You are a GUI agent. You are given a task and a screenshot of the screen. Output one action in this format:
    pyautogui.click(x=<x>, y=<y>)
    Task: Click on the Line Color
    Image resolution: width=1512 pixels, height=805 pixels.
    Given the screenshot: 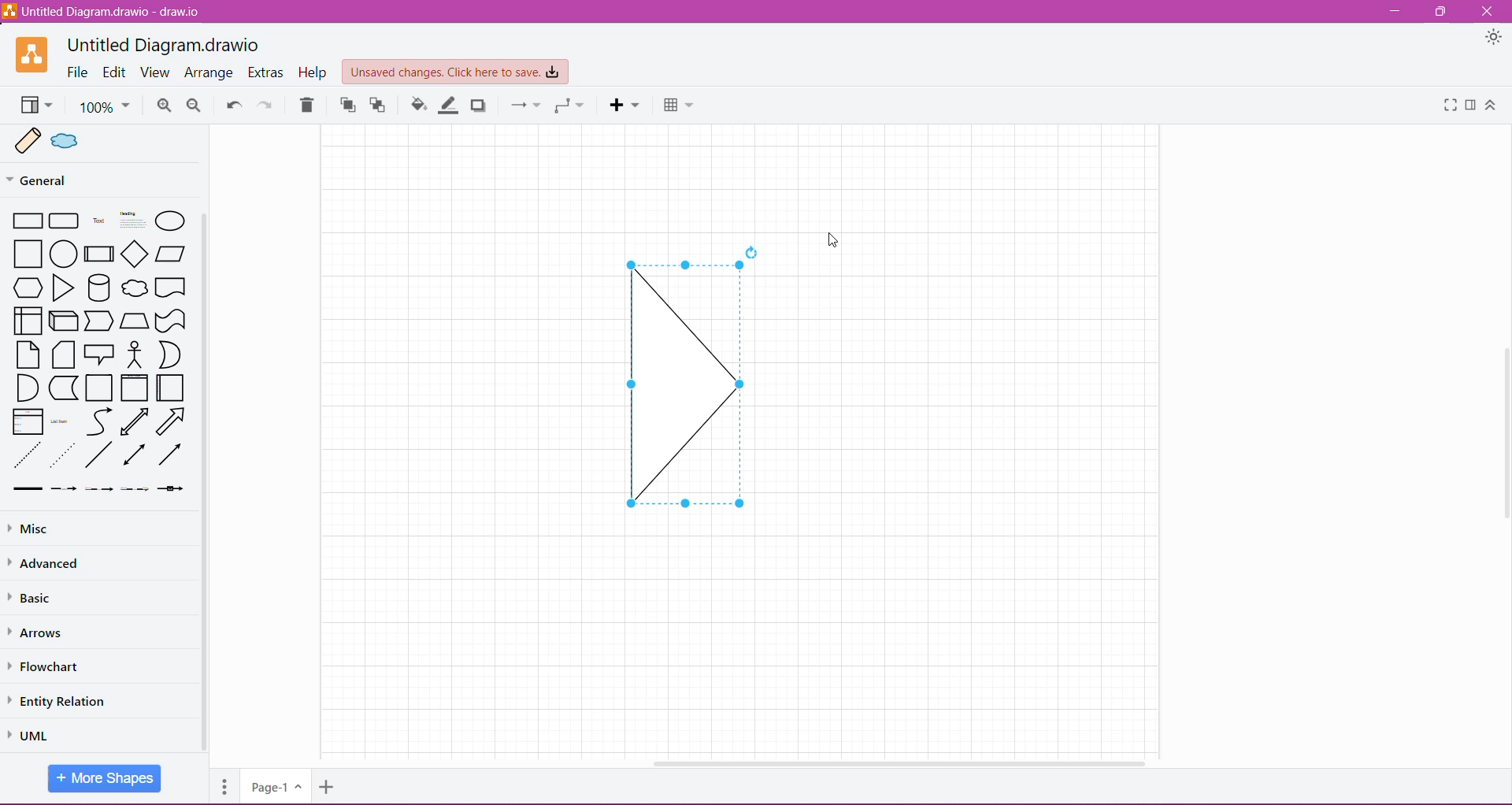 What is the action you would take?
    pyautogui.click(x=447, y=105)
    